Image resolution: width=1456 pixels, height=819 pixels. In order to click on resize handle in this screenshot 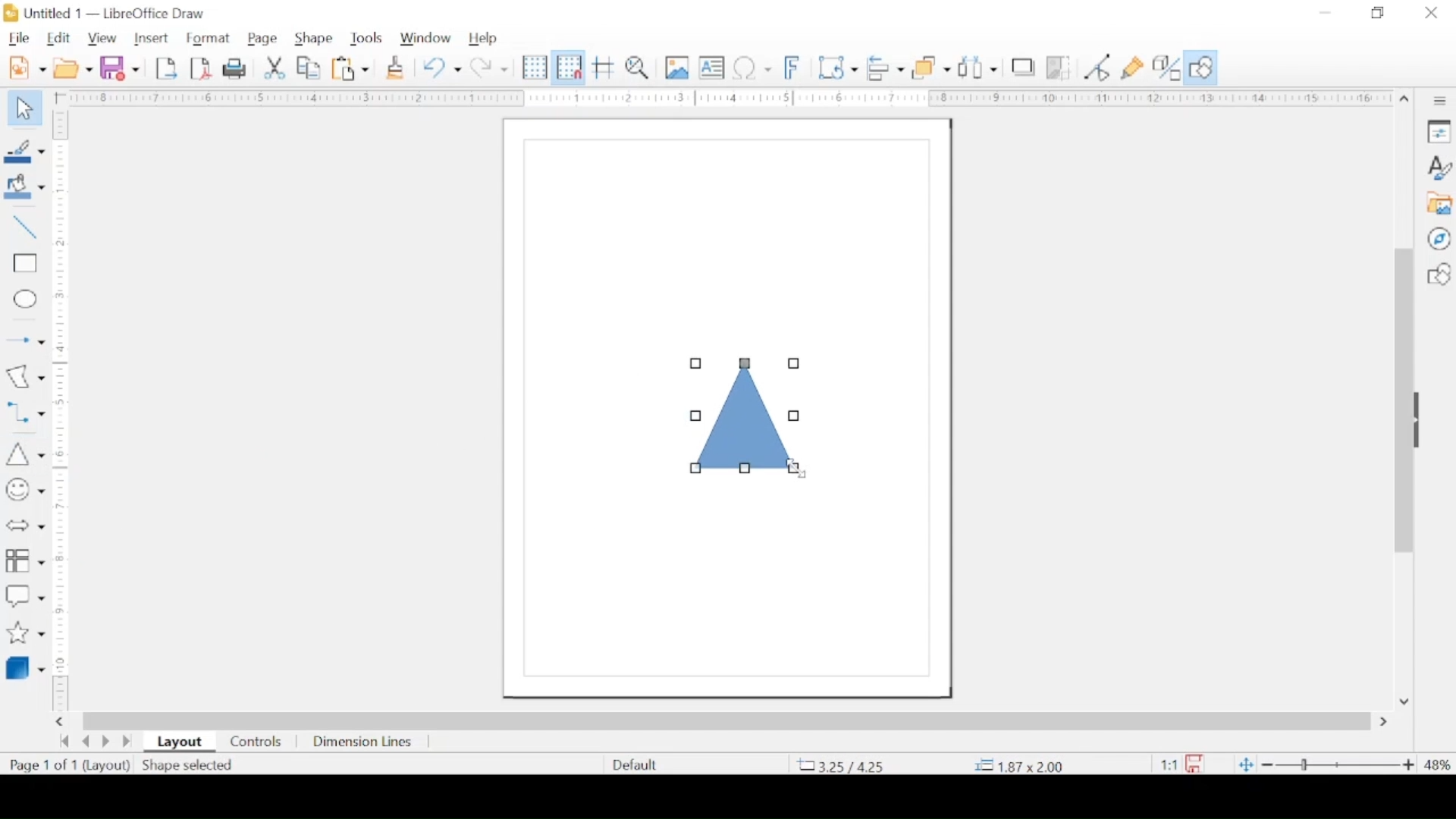, I will do `click(796, 416)`.